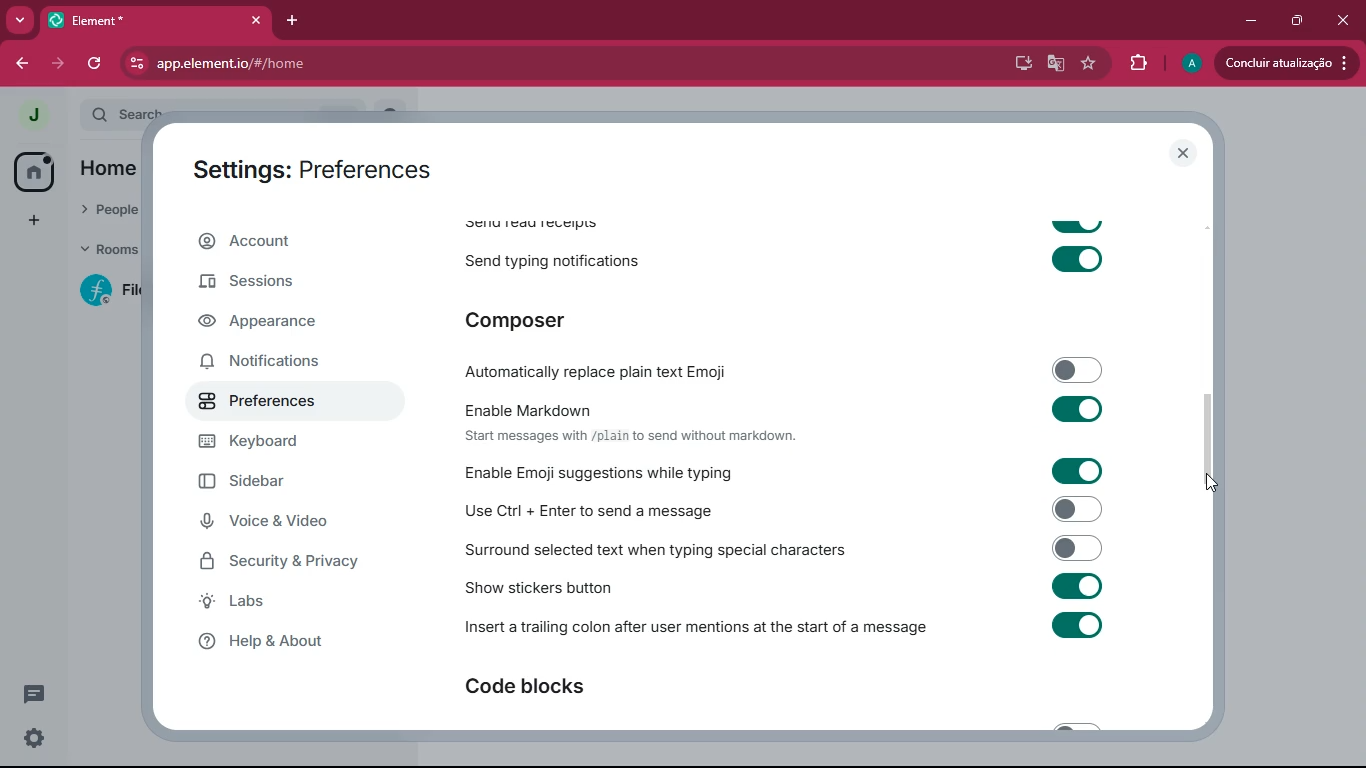 The width and height of the screenshot is (1366, 768). Describe the element at coordinates (1054, 63) in the screenshot. I see `google translate` at that location.